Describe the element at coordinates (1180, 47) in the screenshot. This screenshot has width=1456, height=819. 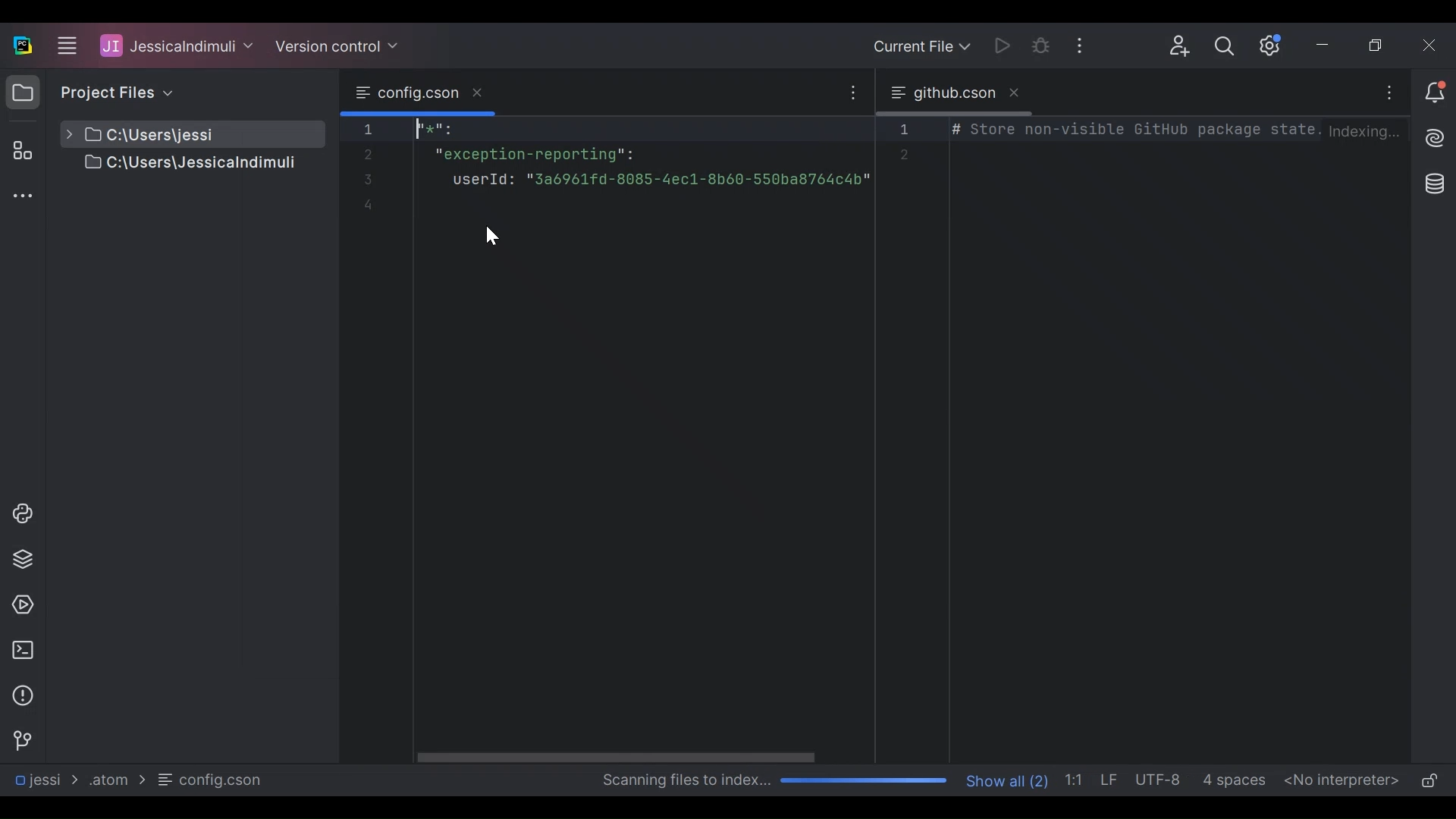
I see `Code with me` at that location.